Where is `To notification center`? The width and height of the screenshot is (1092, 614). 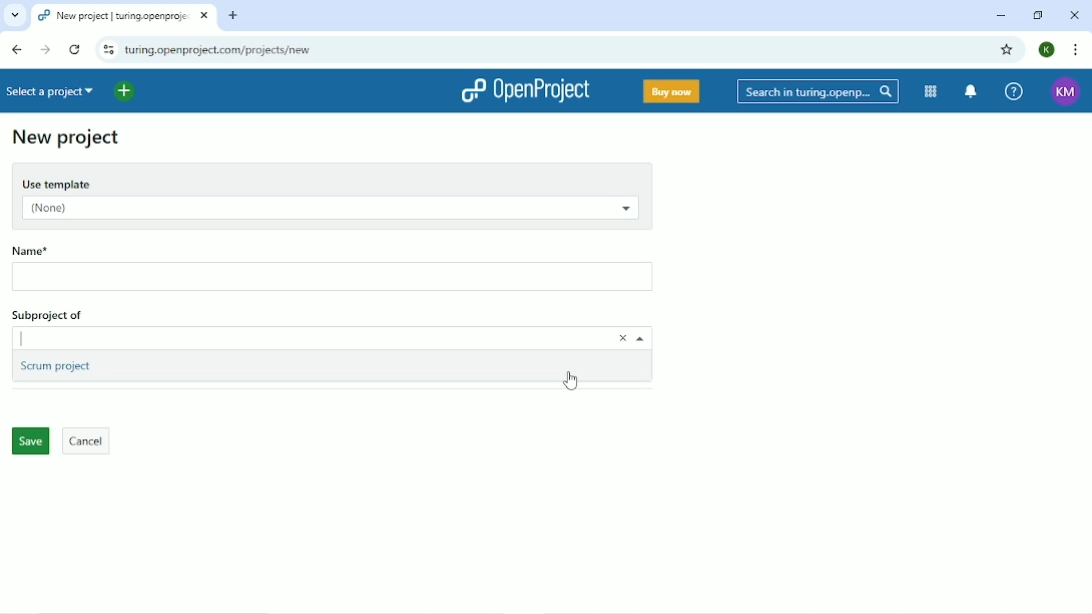 To notification center is located at coordinates (972, 91).